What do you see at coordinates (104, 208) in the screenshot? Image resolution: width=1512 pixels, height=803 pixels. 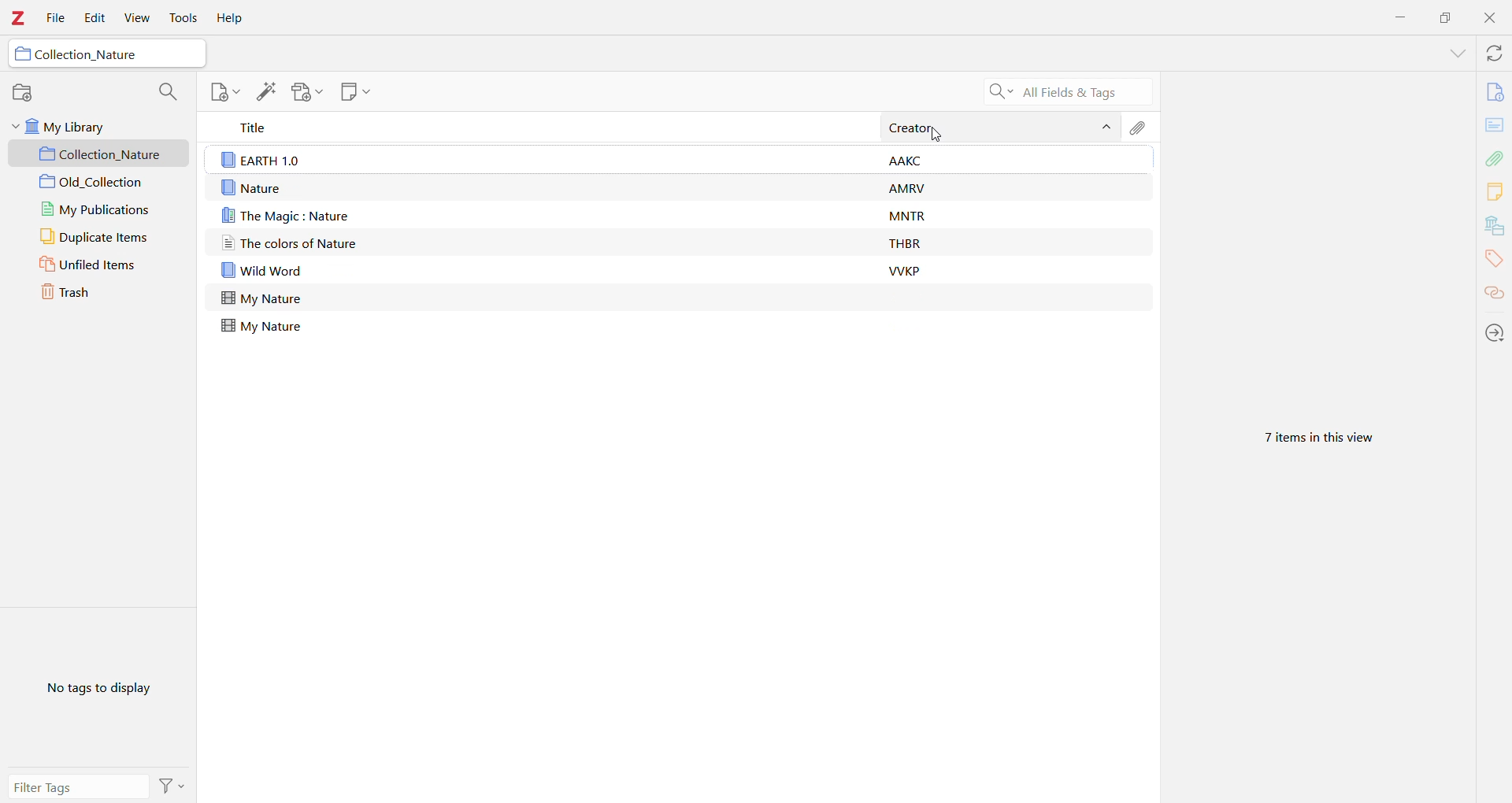 I see `My Publications` at bounding box center [104, 208].